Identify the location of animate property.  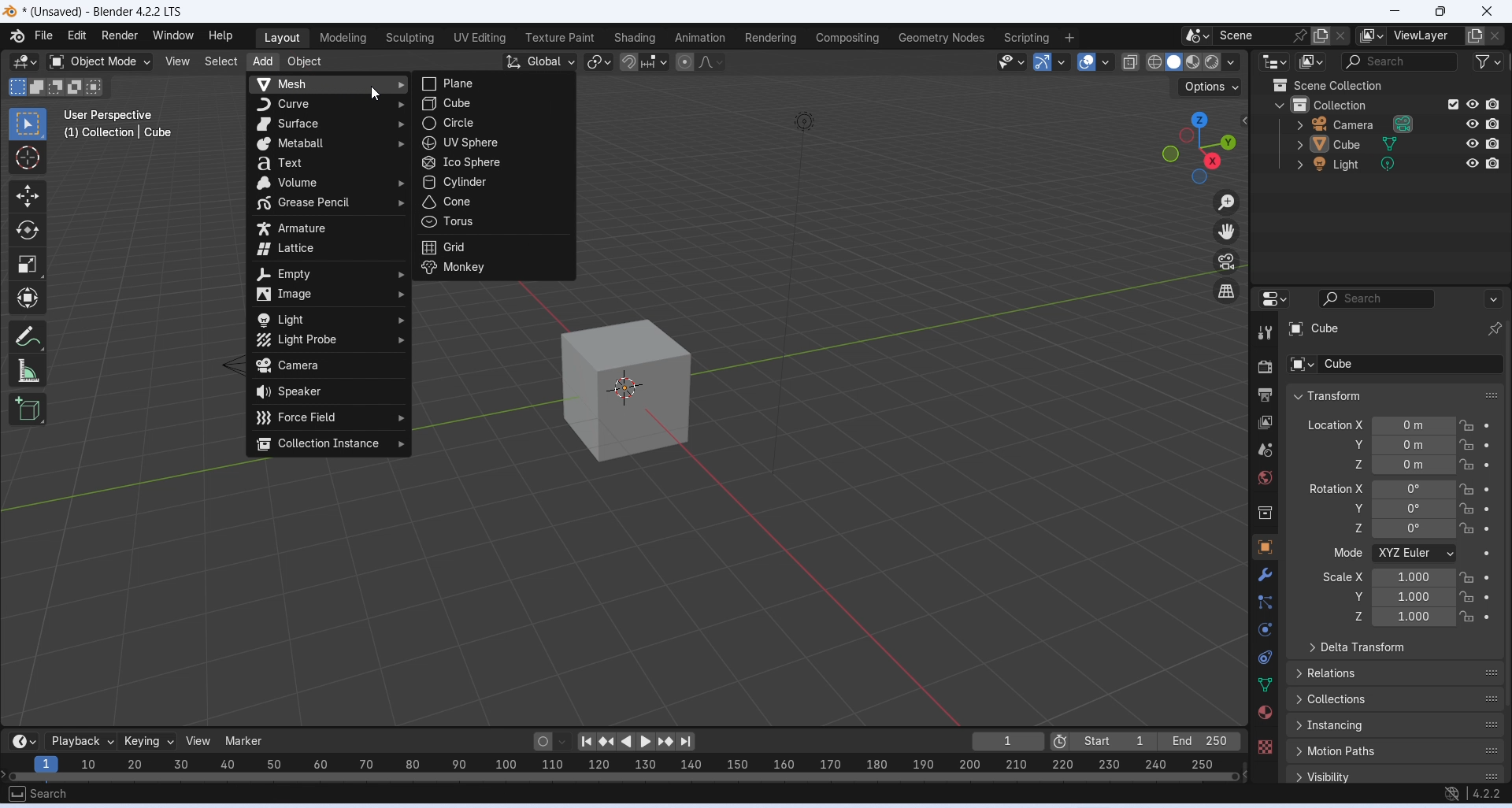
(1486, 554).